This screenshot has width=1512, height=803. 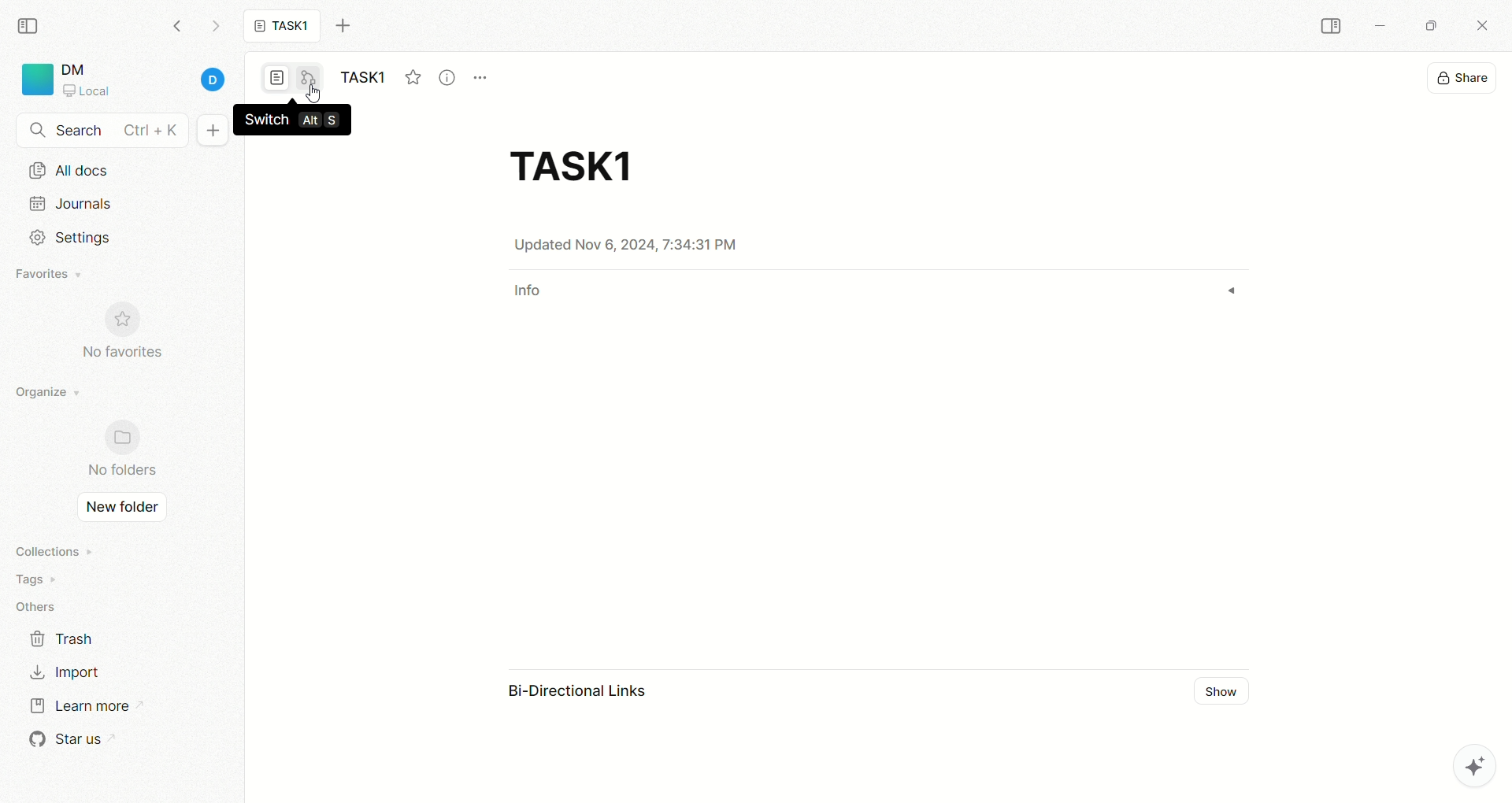 What do you see at coordinates (65, 238) in the screenshot?
I see `settings` at bounding box center [65, 238].